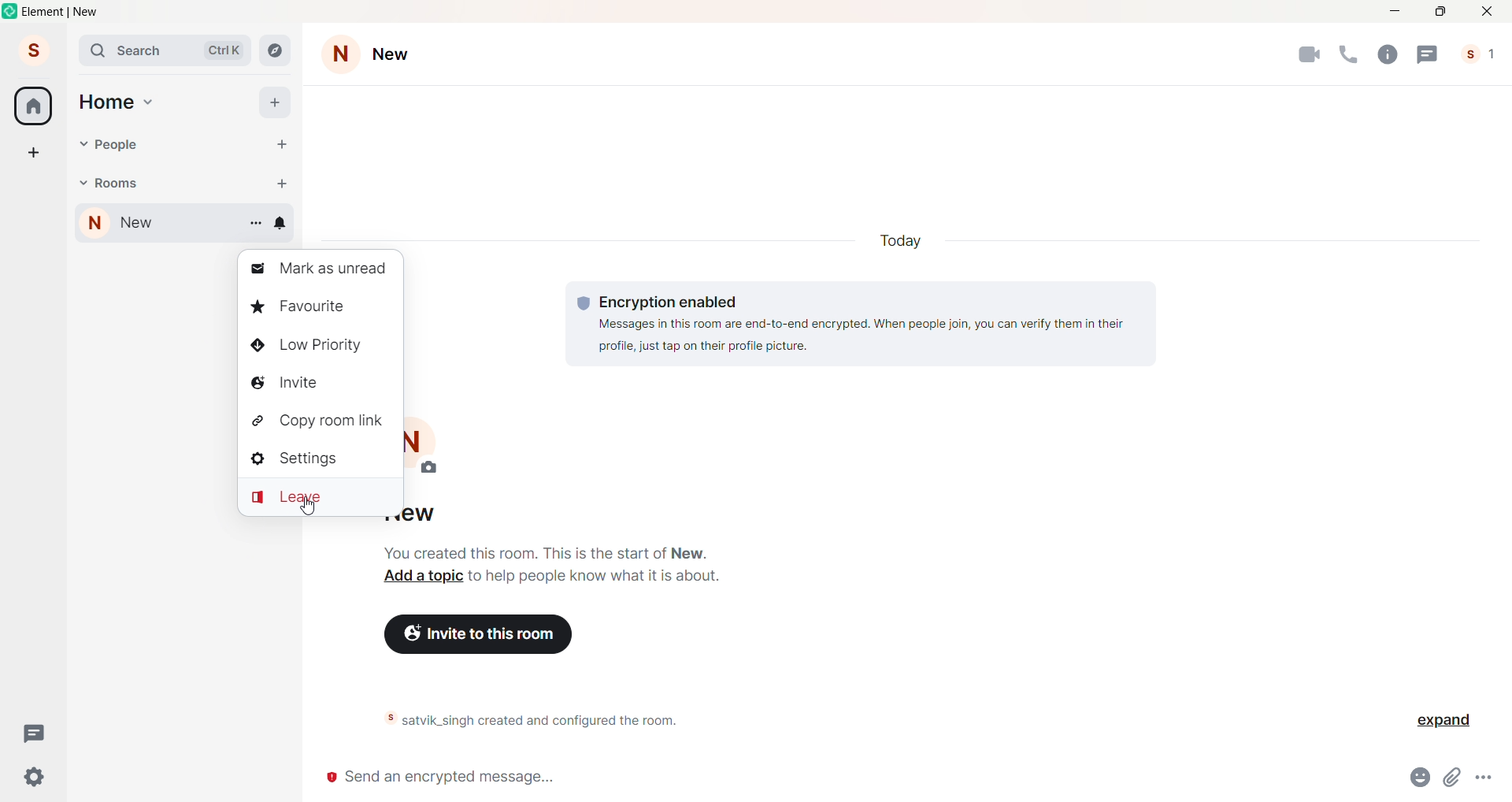 The width and height of the screenshot is (1512, 802). Describe the element at coordinates (1310, 55) in the screenshot. I see `Video` at that location.